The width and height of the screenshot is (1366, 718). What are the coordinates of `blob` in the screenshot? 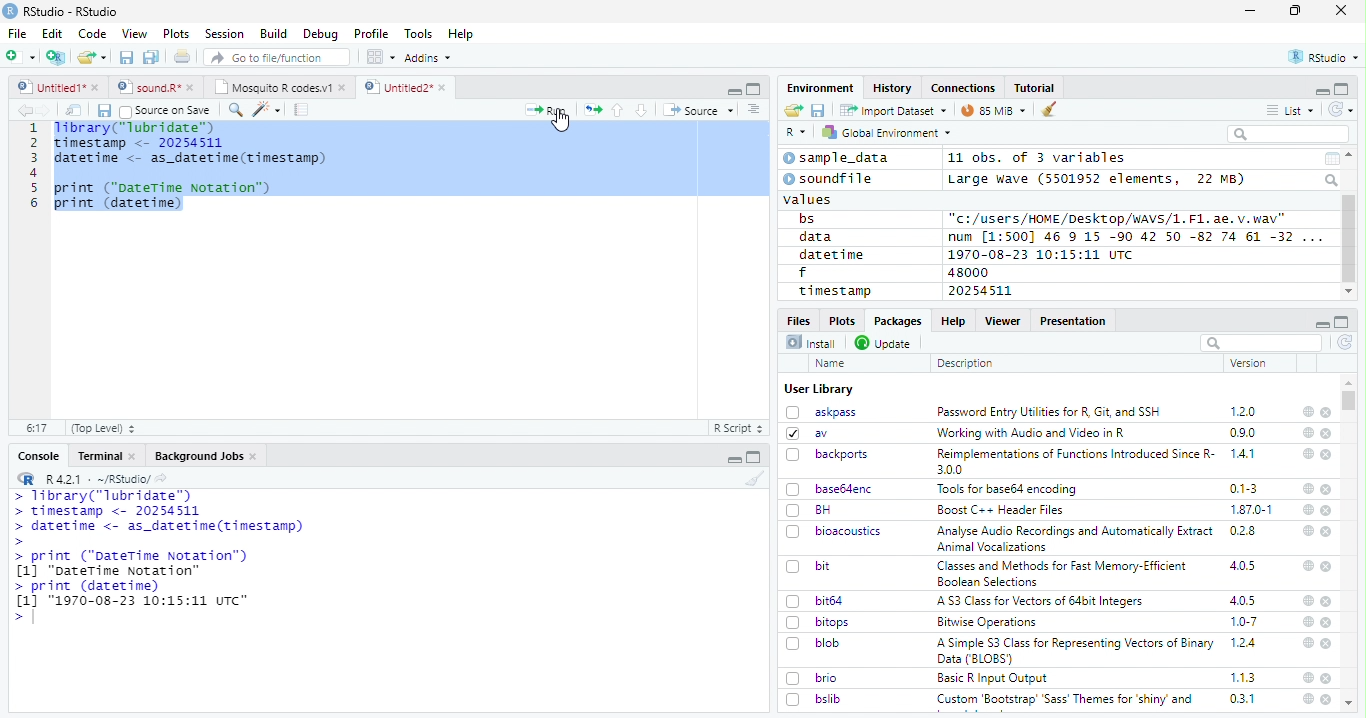 It's located at (813, 643).